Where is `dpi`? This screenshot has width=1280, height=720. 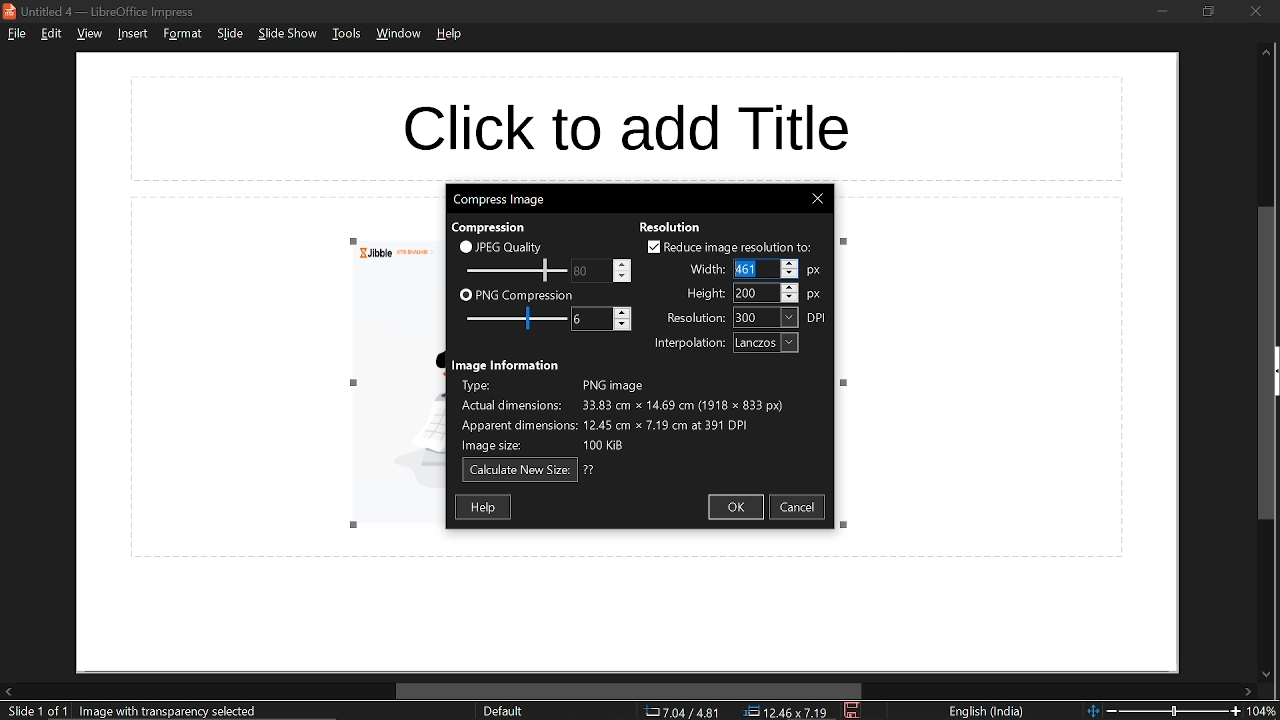
dpi is located at coordinates (819, 318).